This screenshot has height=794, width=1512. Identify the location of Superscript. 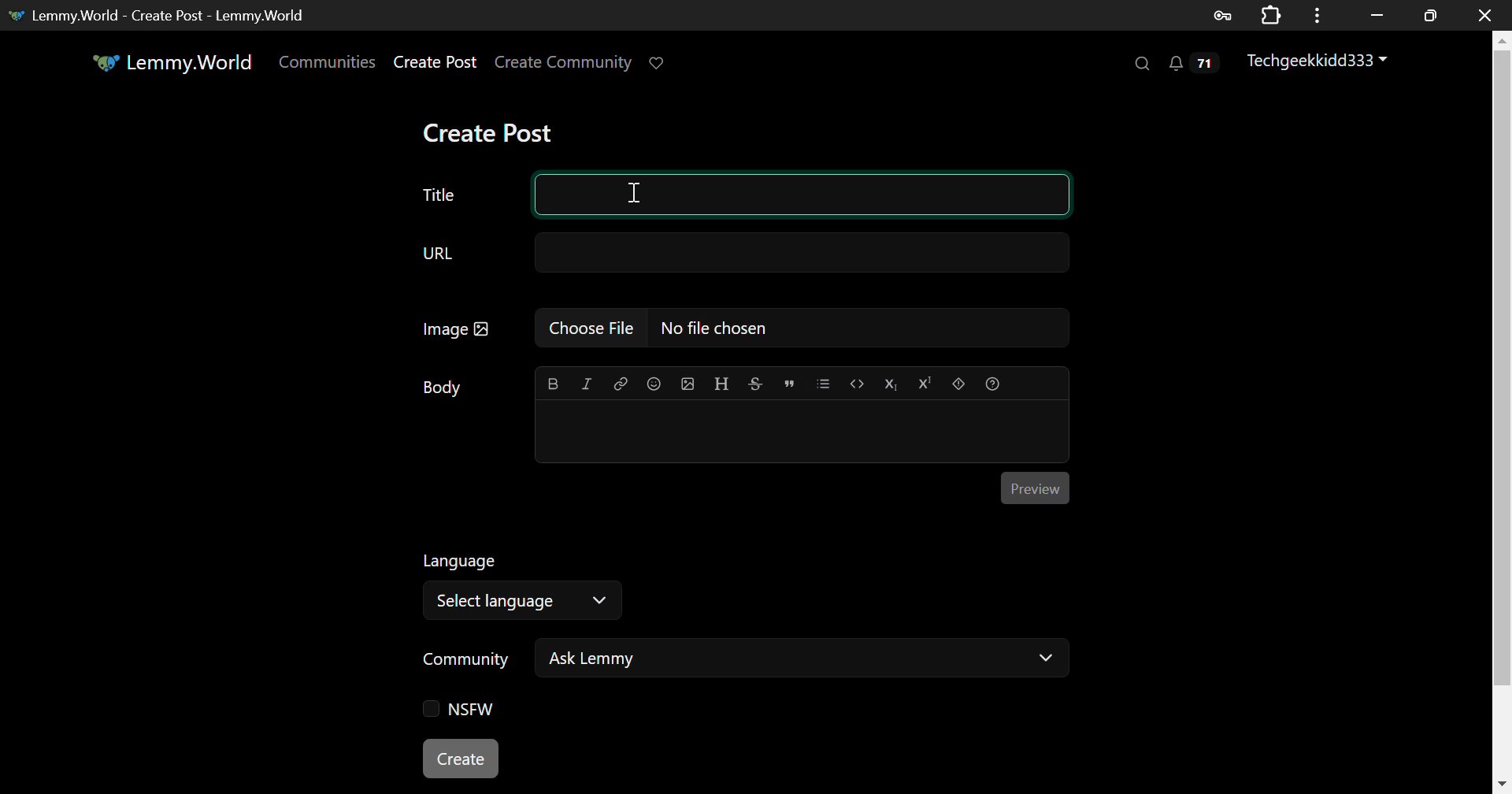
(923, 382).